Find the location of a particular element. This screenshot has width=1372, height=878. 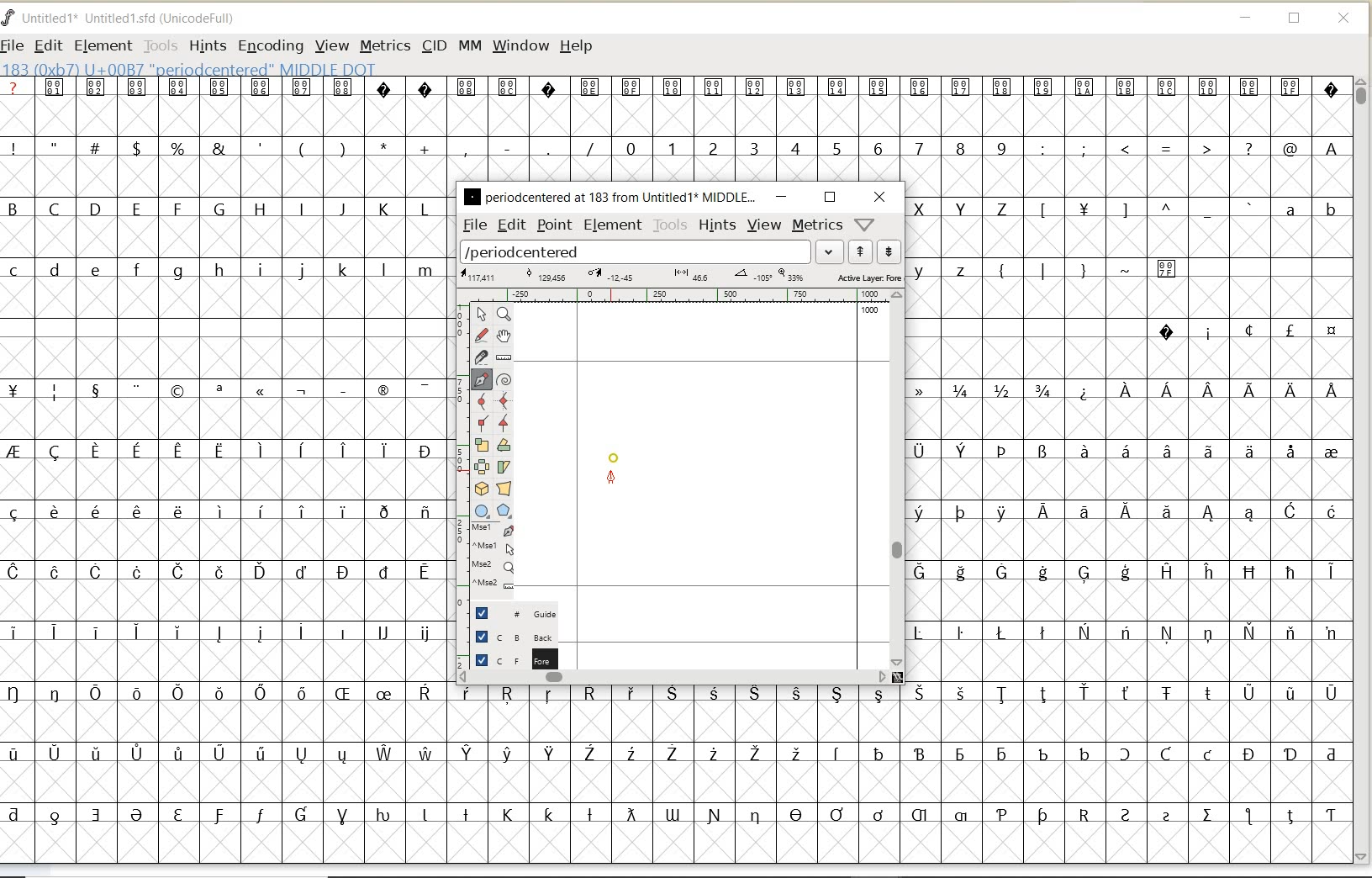

element is located at coordinates (610, 225).